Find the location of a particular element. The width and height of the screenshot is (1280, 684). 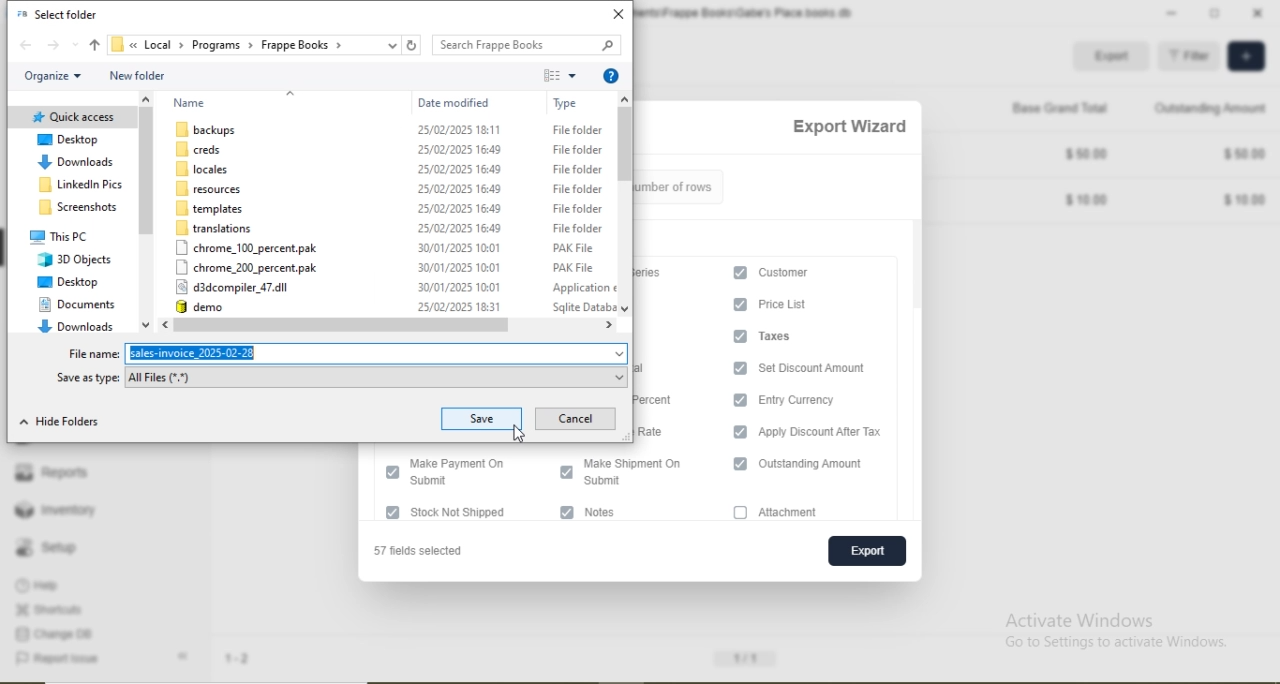

‘New folder is located at coordinates (140, 76).